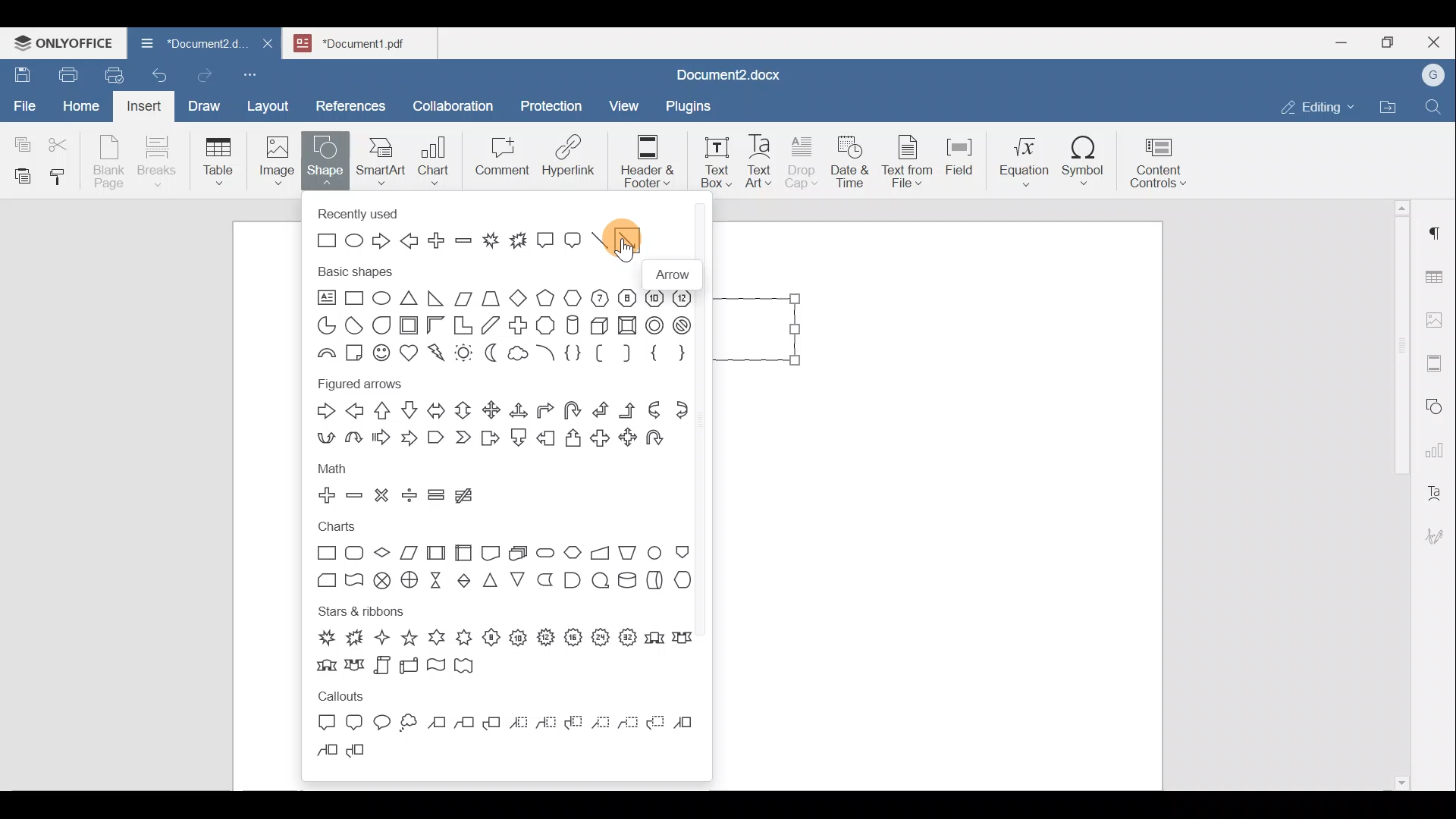 The width and height of the screenshot is (1456, 819). Describe the element at coordinates (910, 160) in the screenshot. I see `Text from file` at that location.